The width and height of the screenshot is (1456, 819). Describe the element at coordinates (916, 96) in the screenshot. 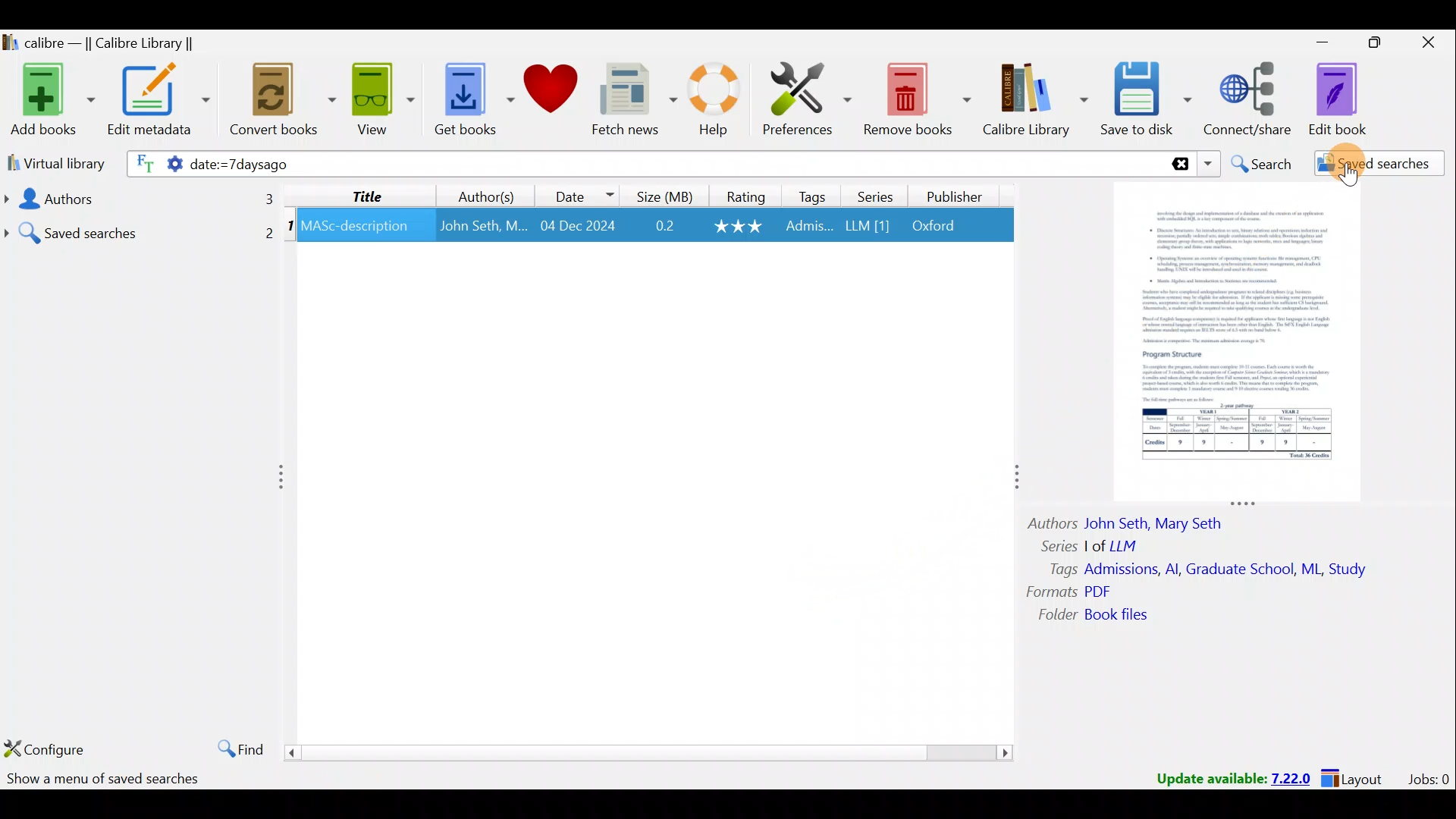

I see `Remove books` at that location.